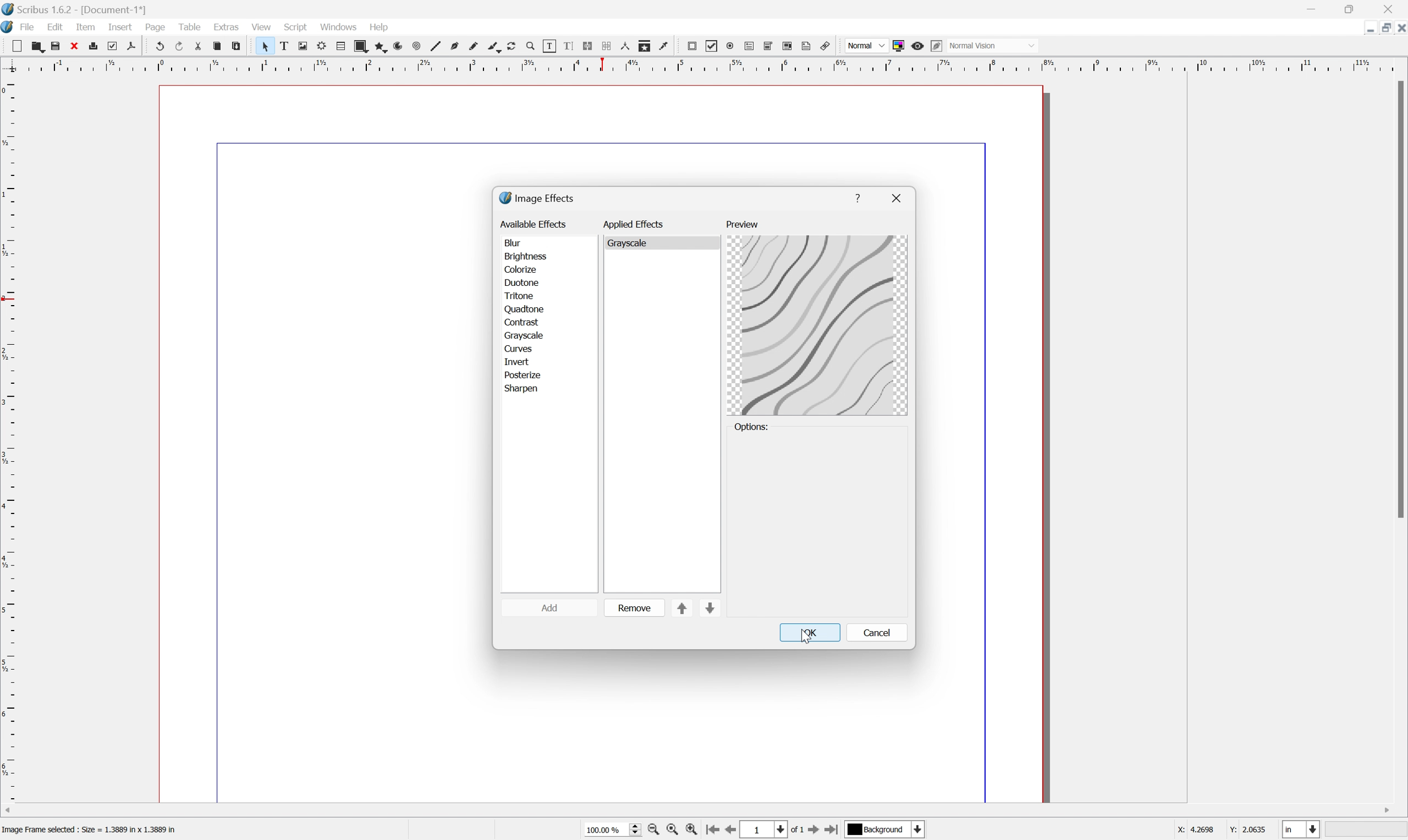  What do you see at coordinates (1311, 10) in the screenshot?
I see `Minimize` at bounding box center [1311, 10].